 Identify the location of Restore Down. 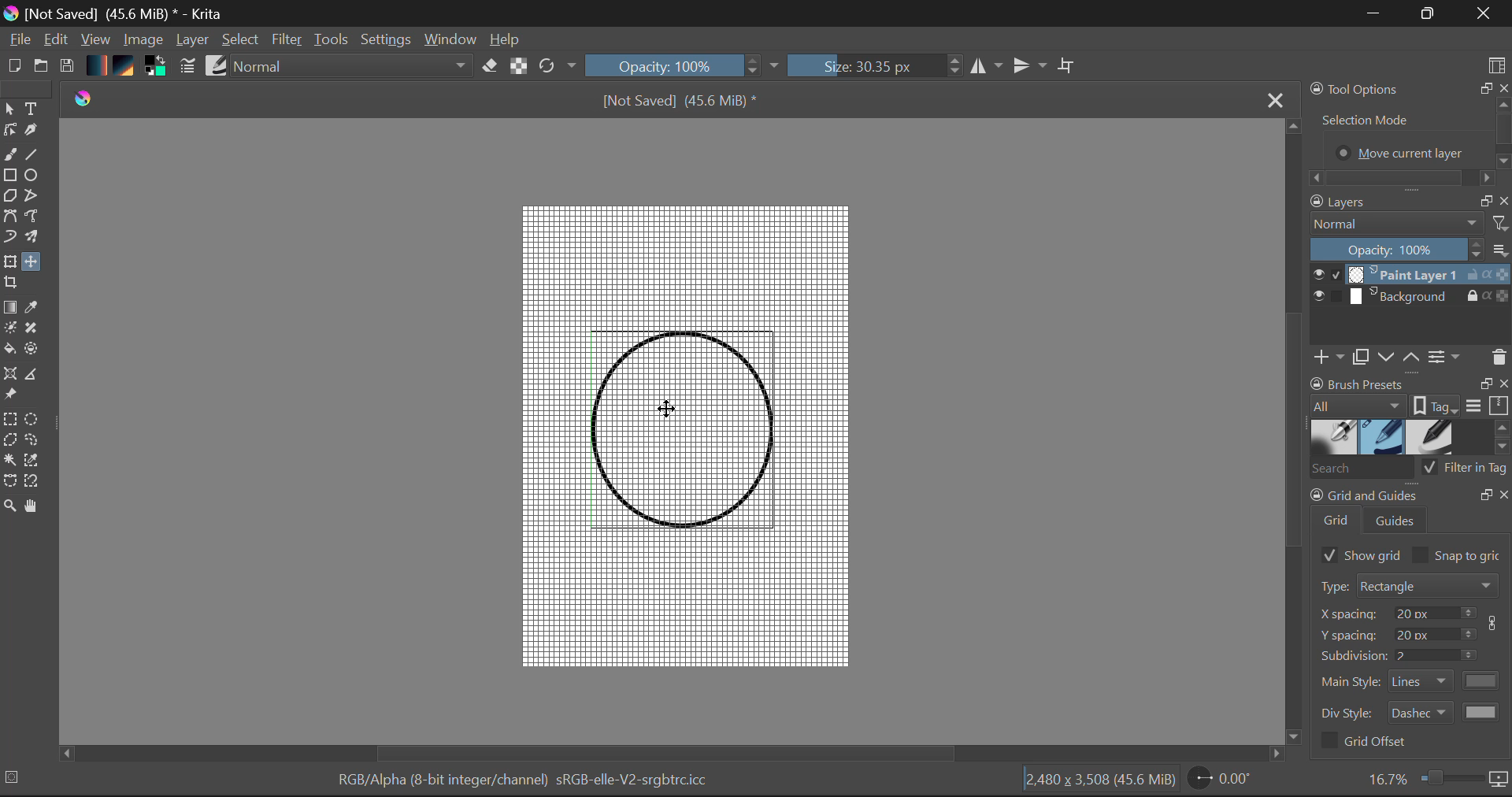
(1374, 14).